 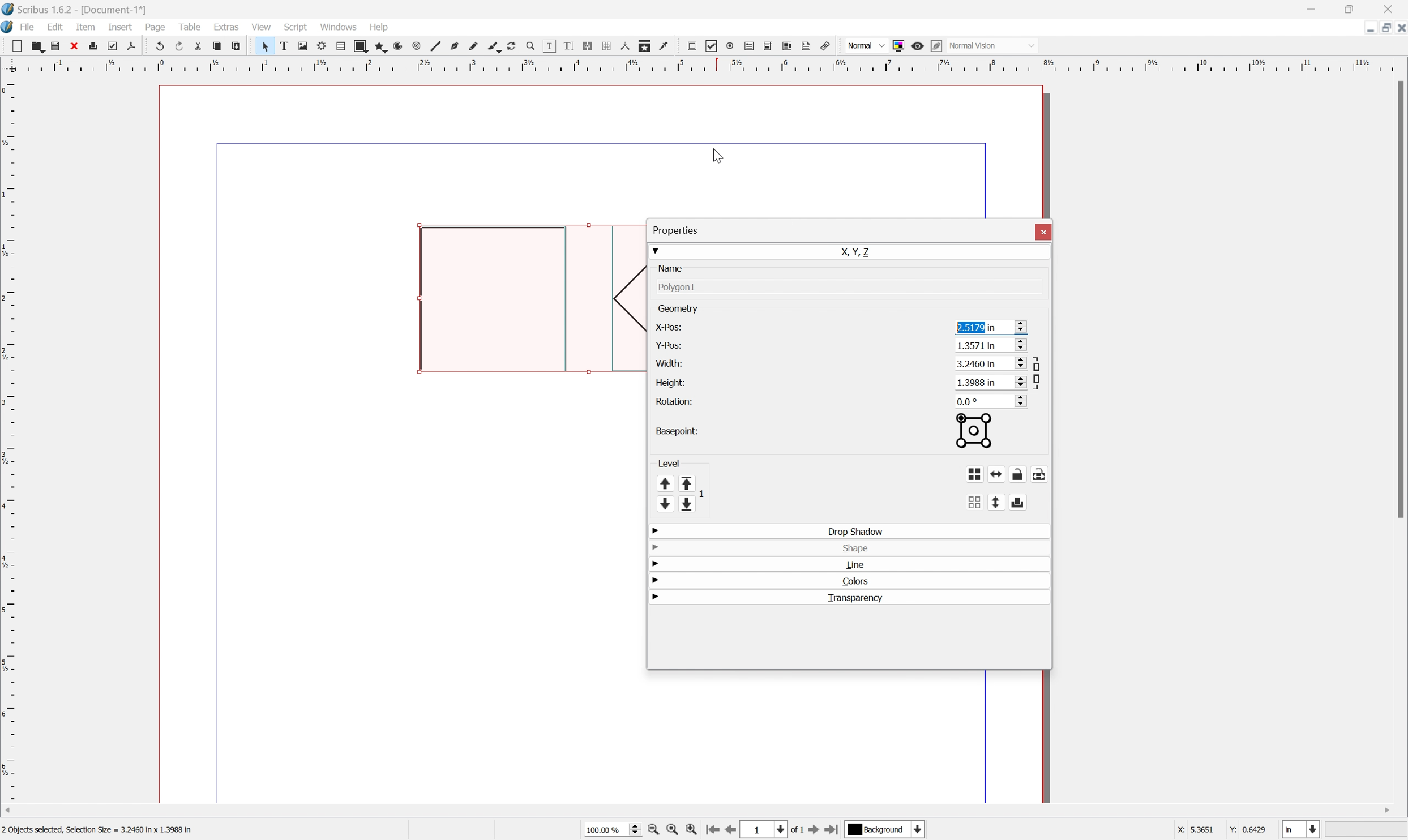 What do you see at coordinates (866, 45) in the screenshot?
I see `Normal` at bounding box center [866, 45].